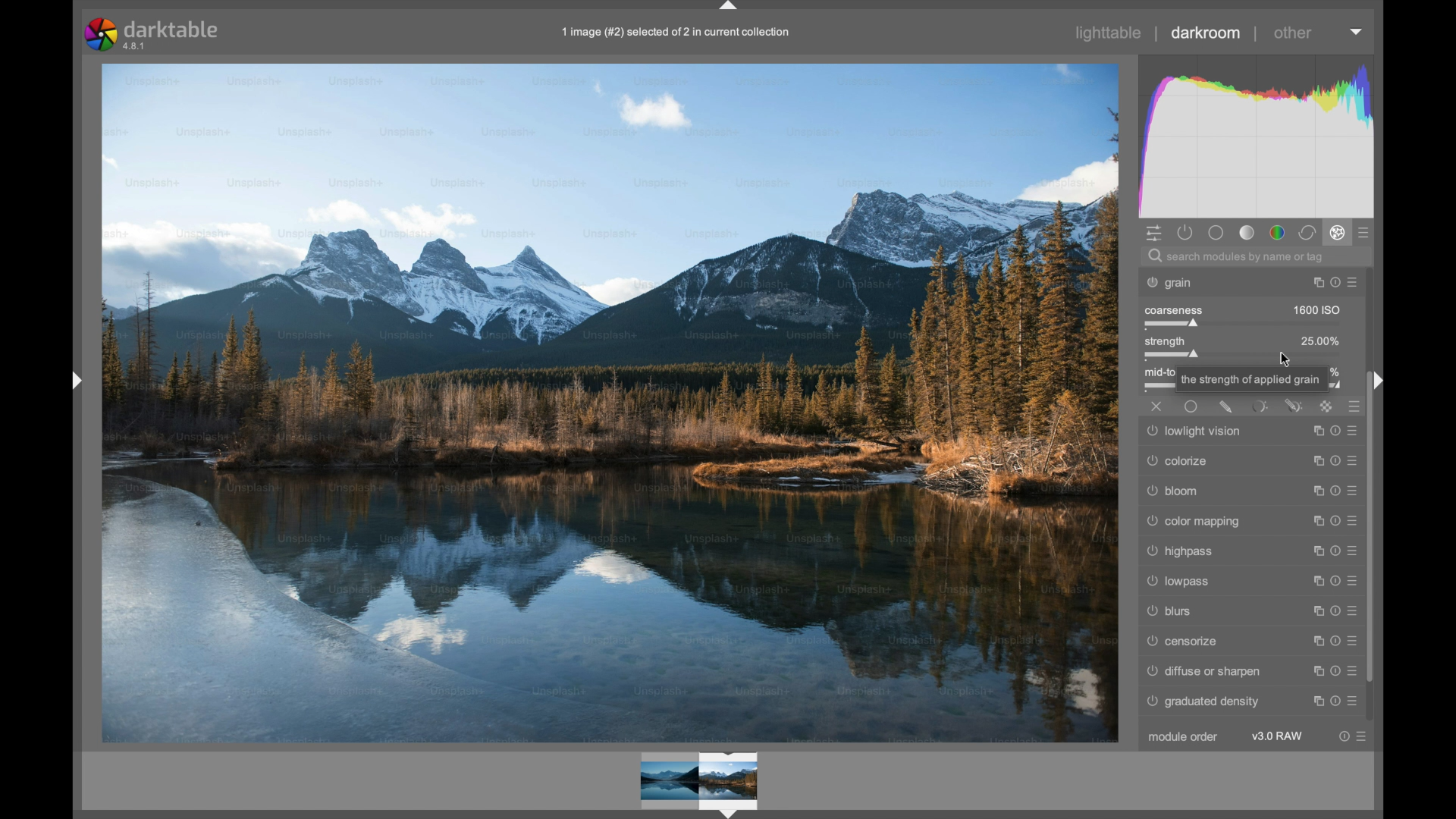 Image resolution: width=1456 pixels, height=819 pixels. Describe the element at coordinates (1332, 552) in the screenshot. I see `reset parameters` at that location.